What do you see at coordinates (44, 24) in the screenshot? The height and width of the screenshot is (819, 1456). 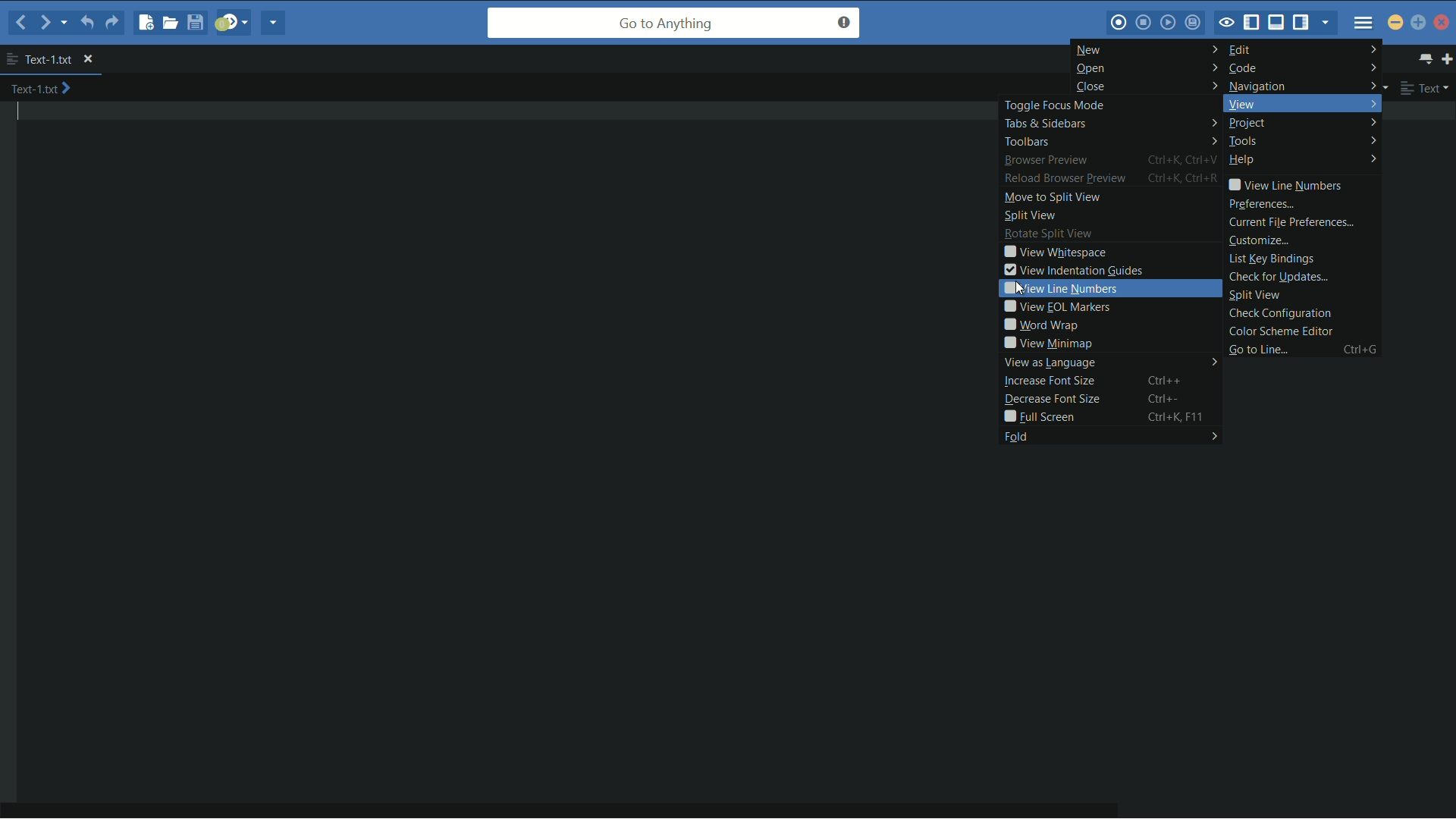 I see `forward` at bounding box center [44, 24].